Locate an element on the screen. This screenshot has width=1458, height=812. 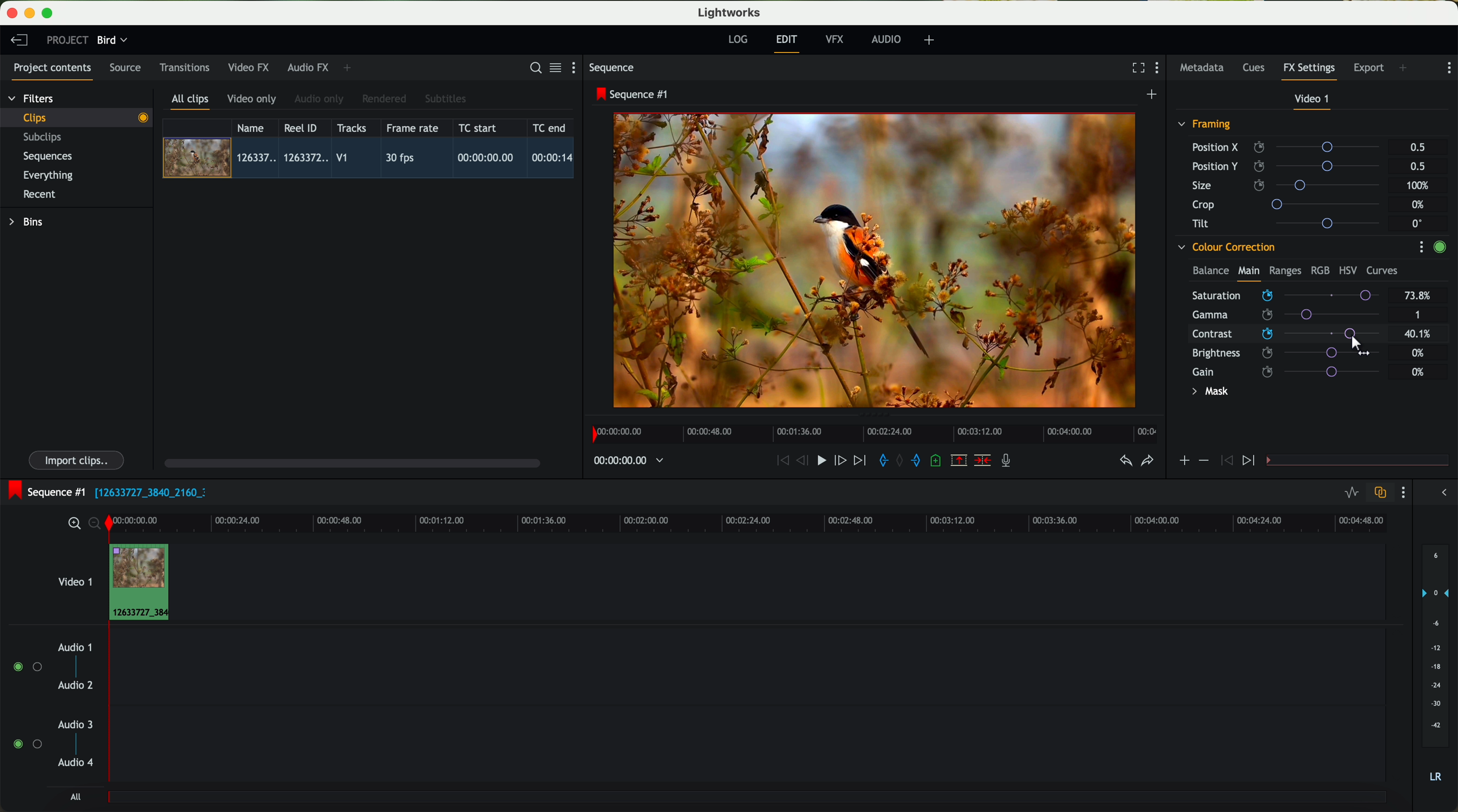
0% is located at coordinates (1418, 372).